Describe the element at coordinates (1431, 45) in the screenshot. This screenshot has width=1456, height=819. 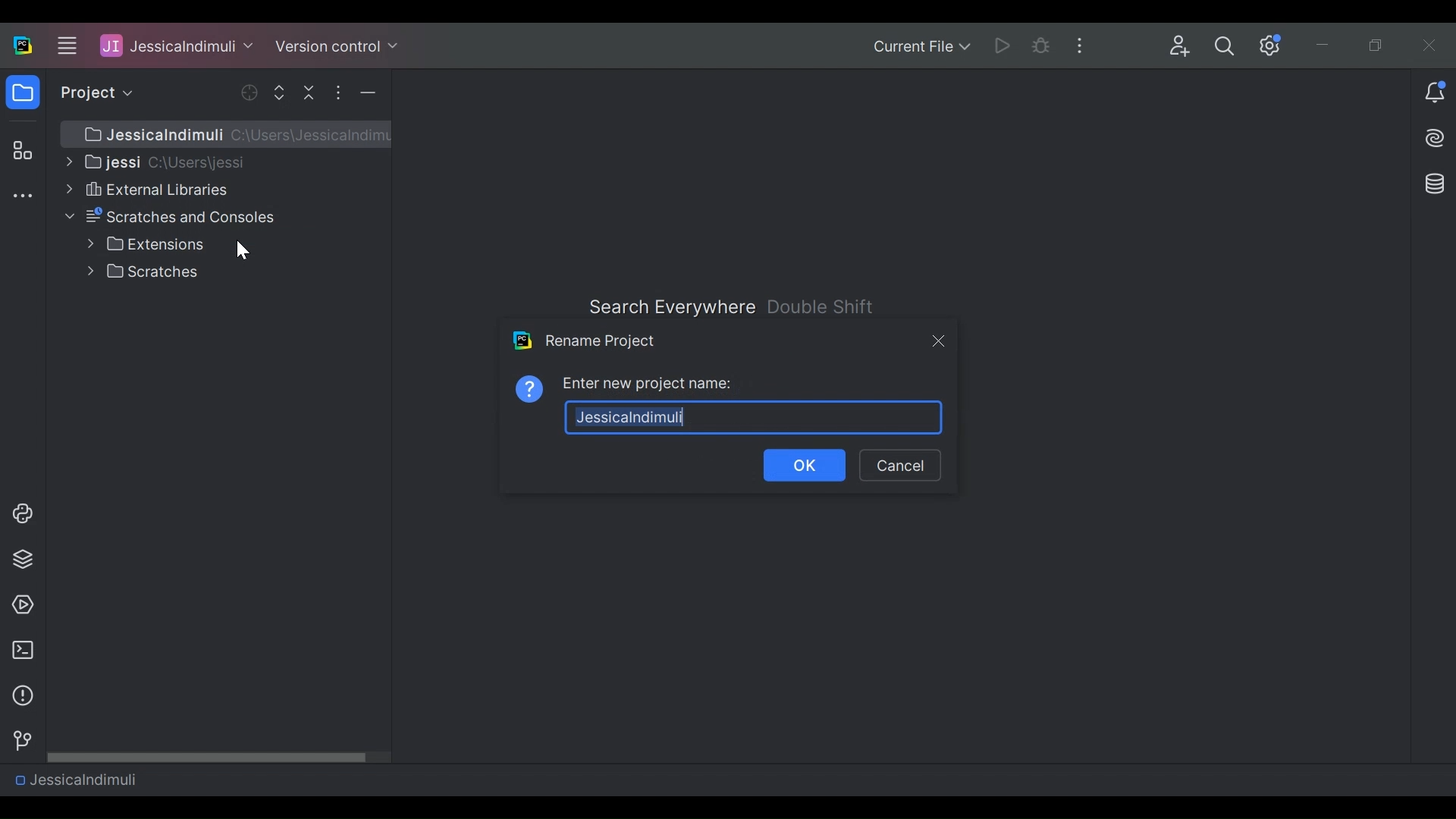
I see `Close` at that location.